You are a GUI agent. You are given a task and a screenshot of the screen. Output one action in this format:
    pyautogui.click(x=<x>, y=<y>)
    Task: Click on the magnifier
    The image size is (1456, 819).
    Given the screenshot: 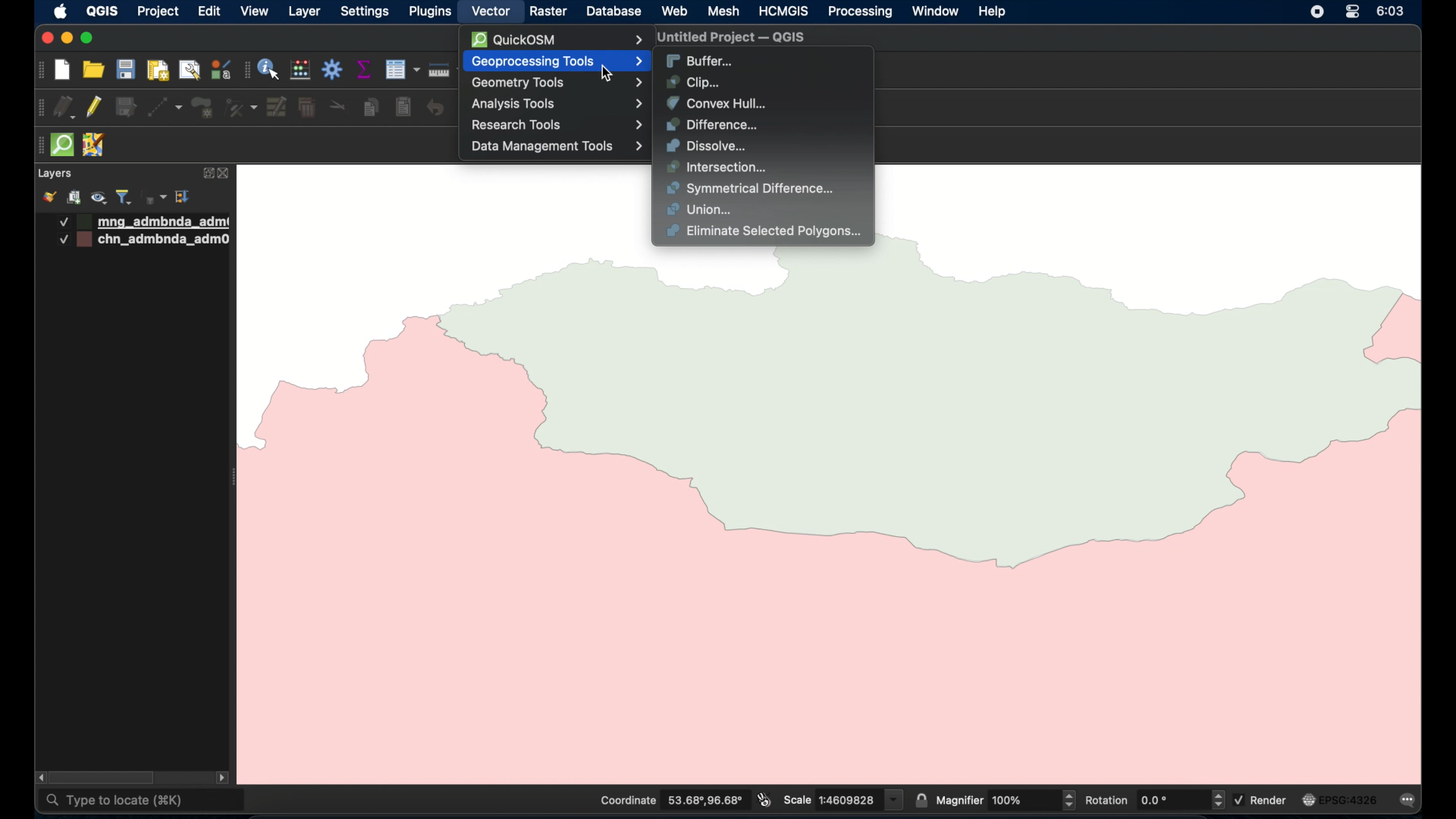 What is the action you would take?
    pyautogui.click(x=1006, y=799)
    